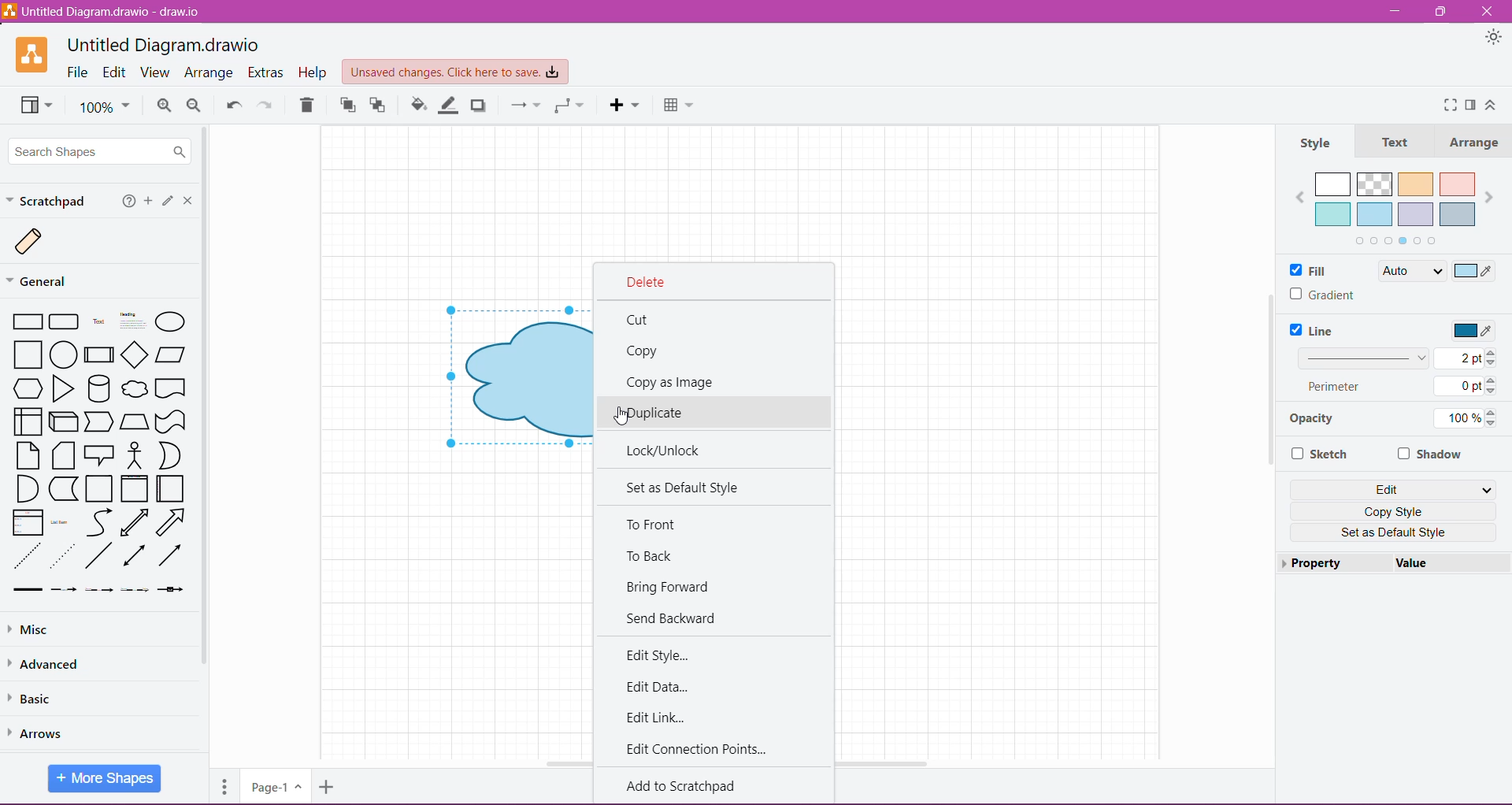  Describe the element at coordinates (1443, 12) in the screenshot. I see `Restore Down` at that location.